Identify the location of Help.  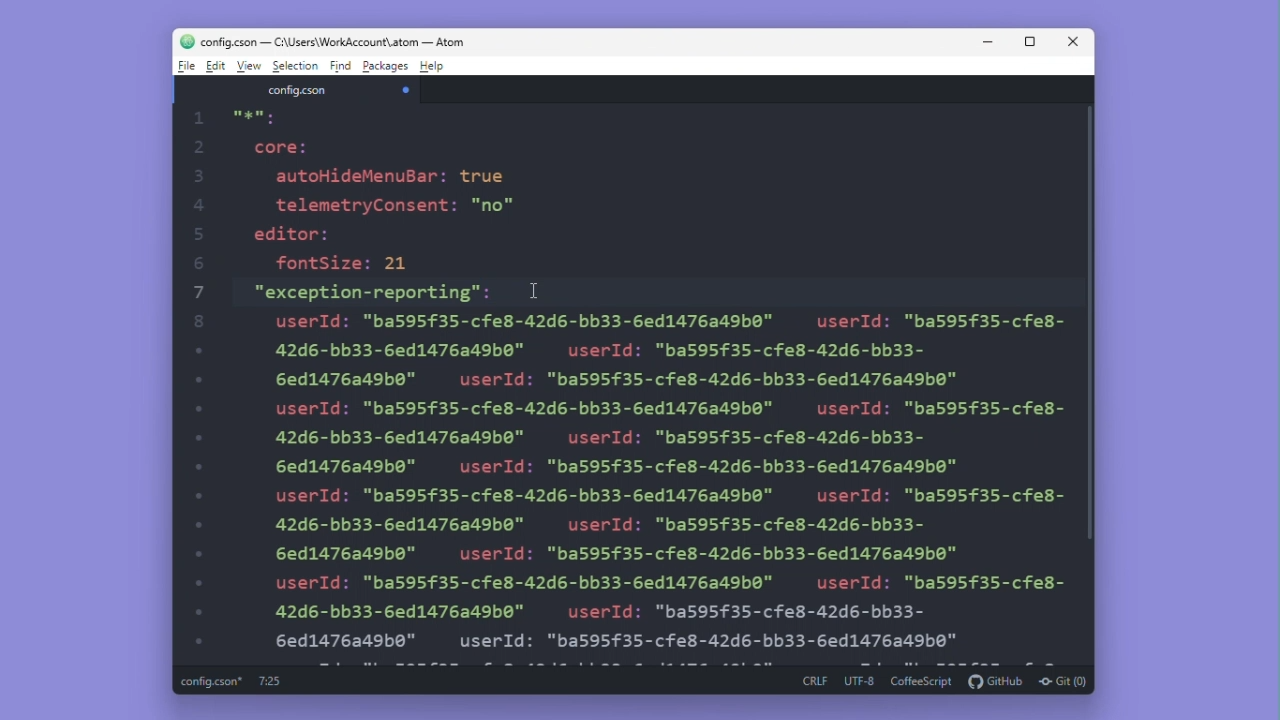
(432, 65).